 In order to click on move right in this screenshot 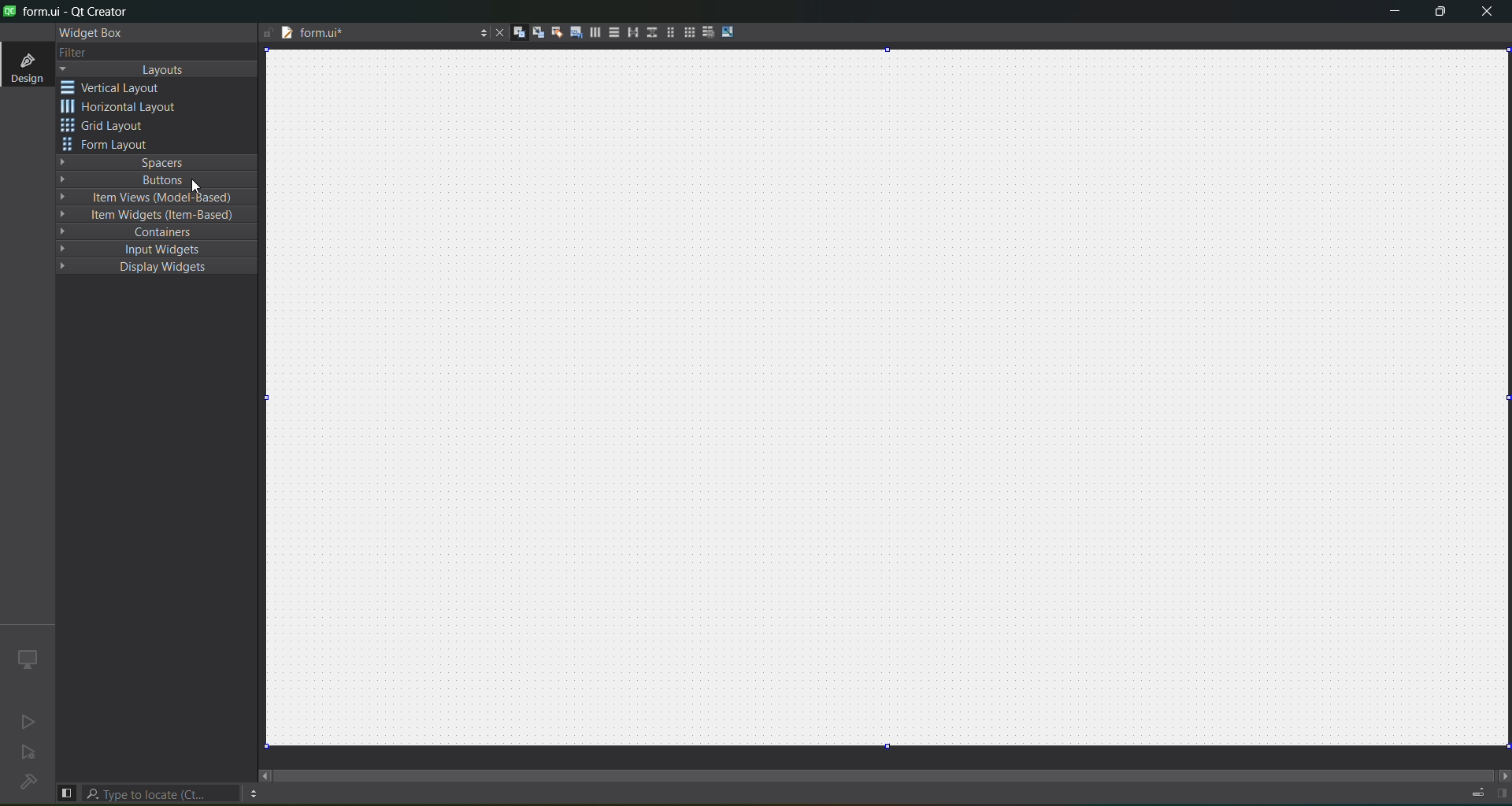, I will do `click(1501, 774)`.